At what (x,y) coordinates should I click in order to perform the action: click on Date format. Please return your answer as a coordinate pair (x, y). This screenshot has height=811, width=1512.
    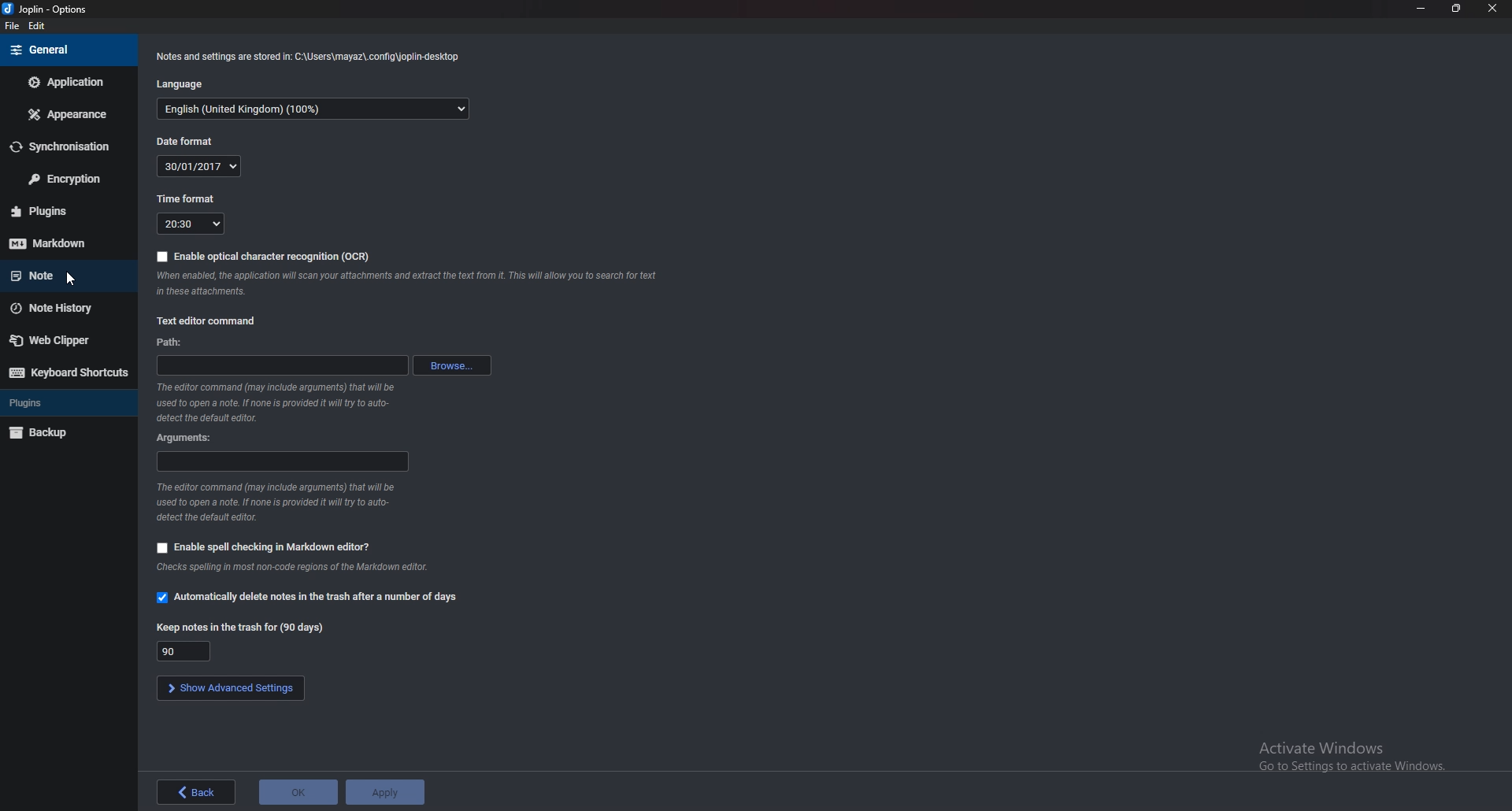
    Looking at the image, I should click on (199, 166).